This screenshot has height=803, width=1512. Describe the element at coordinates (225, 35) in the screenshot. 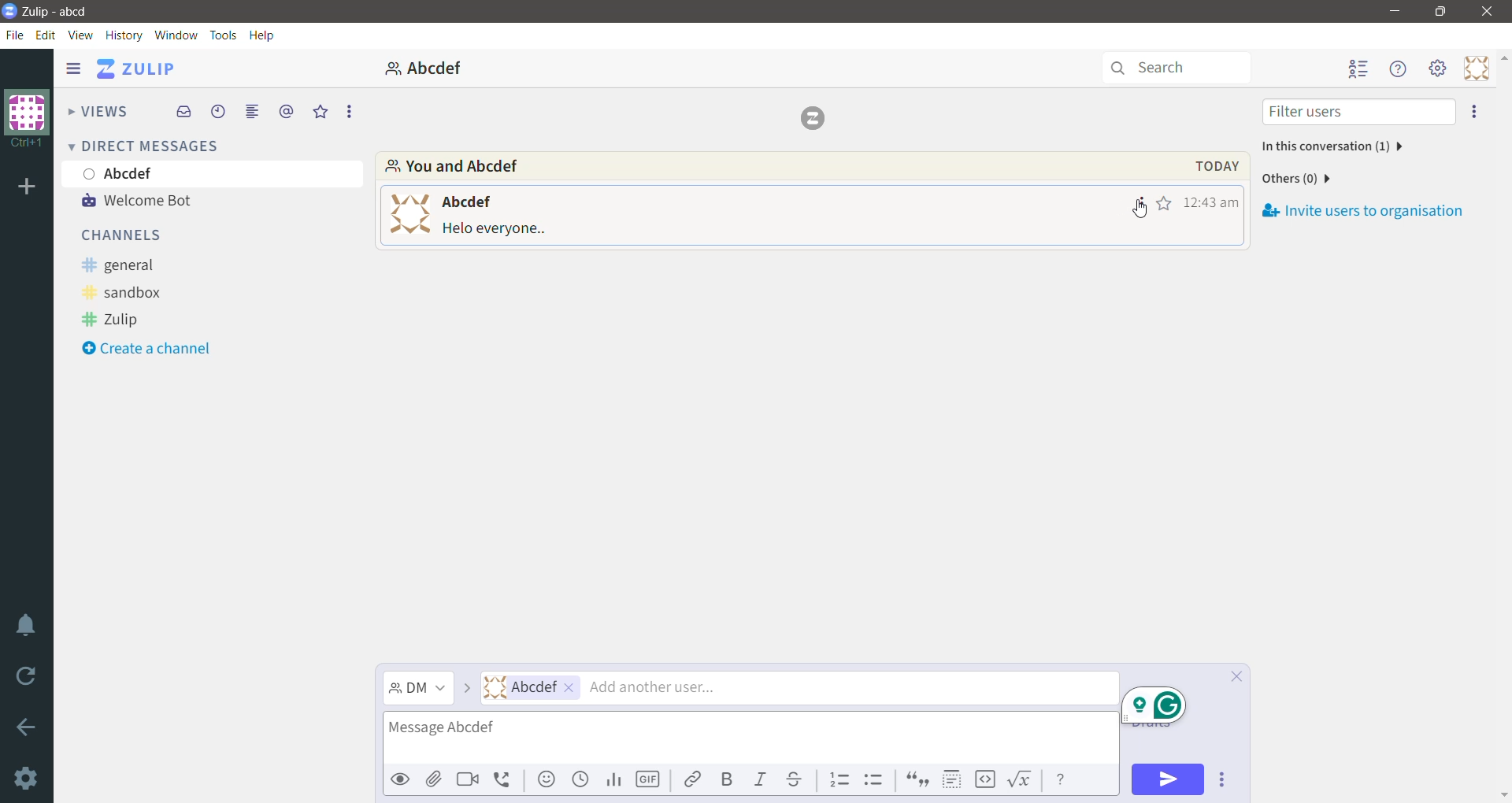

I see `Tools` at that location.